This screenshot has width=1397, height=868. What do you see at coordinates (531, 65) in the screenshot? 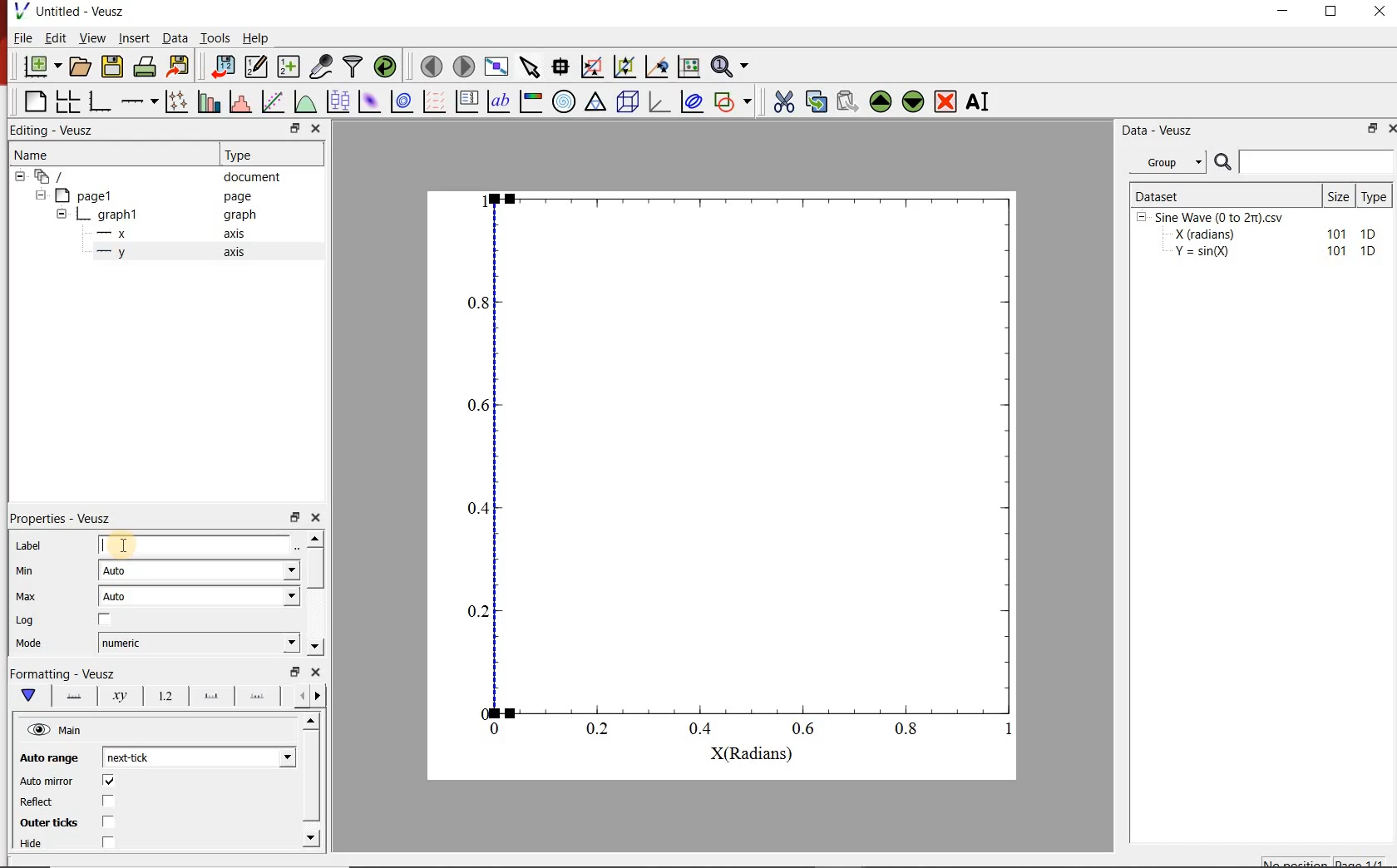
I see `select item from graph` at bounding box center [531, 65].